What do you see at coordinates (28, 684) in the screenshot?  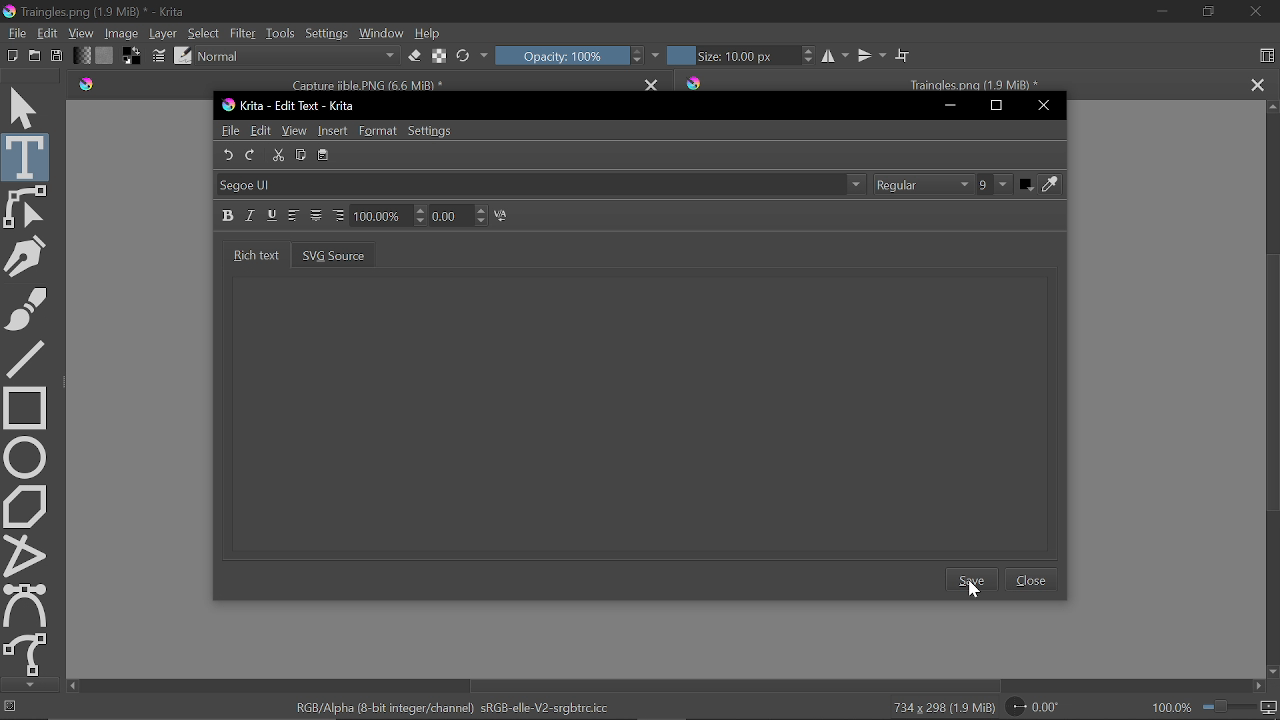 I see `Move down tools` at bounding box center [28, 684].